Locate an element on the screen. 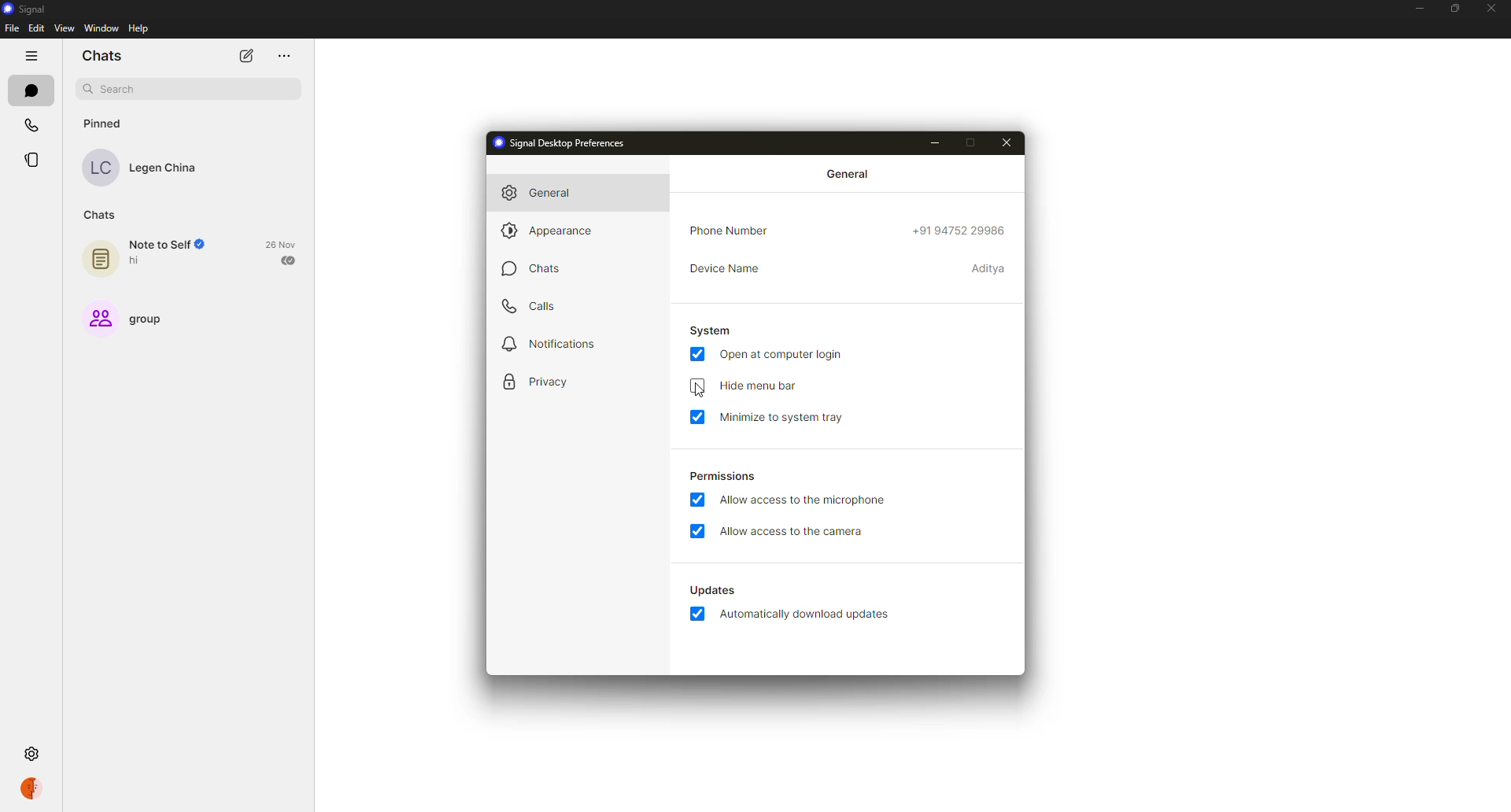  phone number is located at coordinates (956, 233).